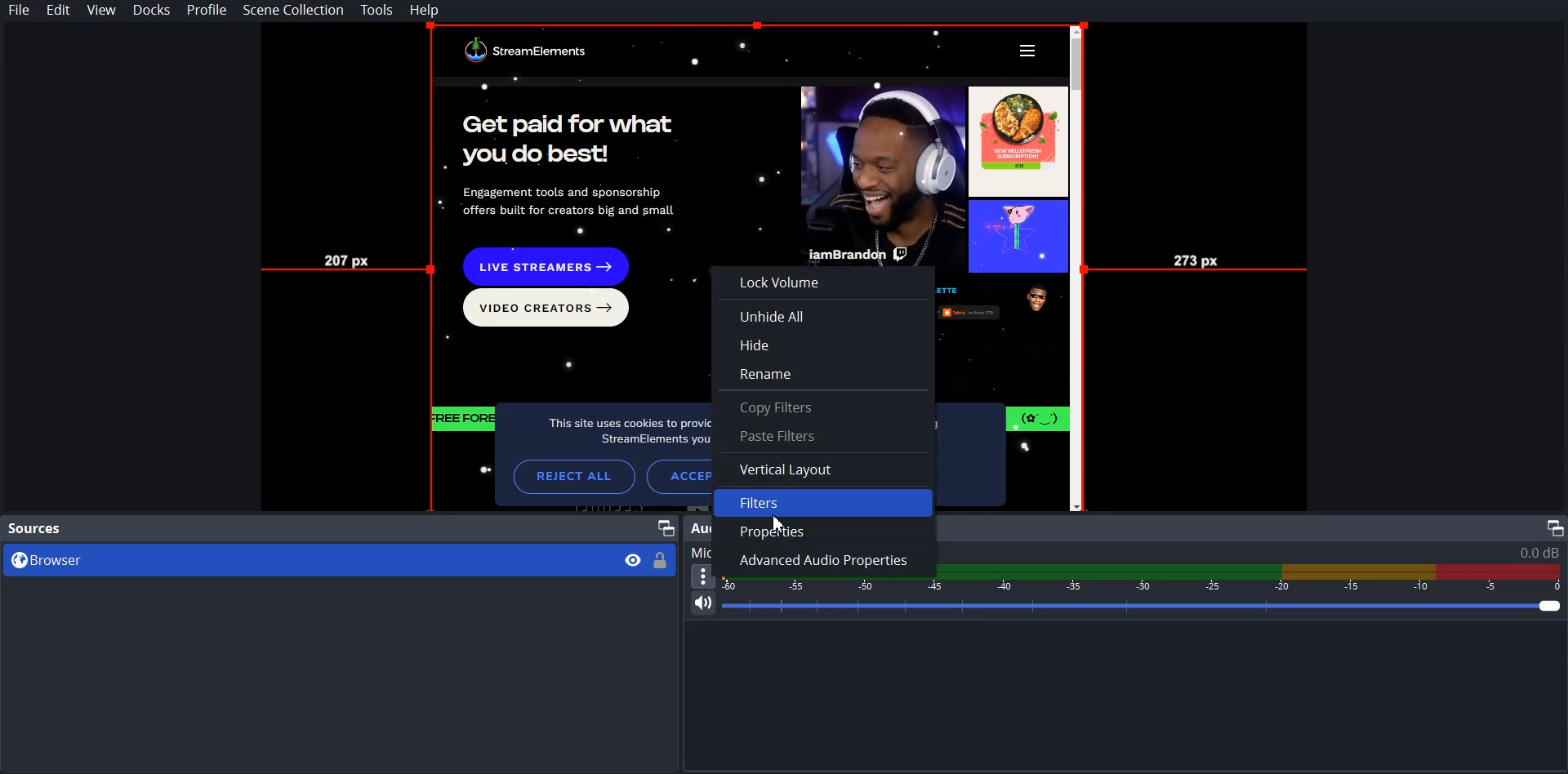 The width and height of the screenshot is (1568, 774). I want to click on Eye, so click(634, 561).